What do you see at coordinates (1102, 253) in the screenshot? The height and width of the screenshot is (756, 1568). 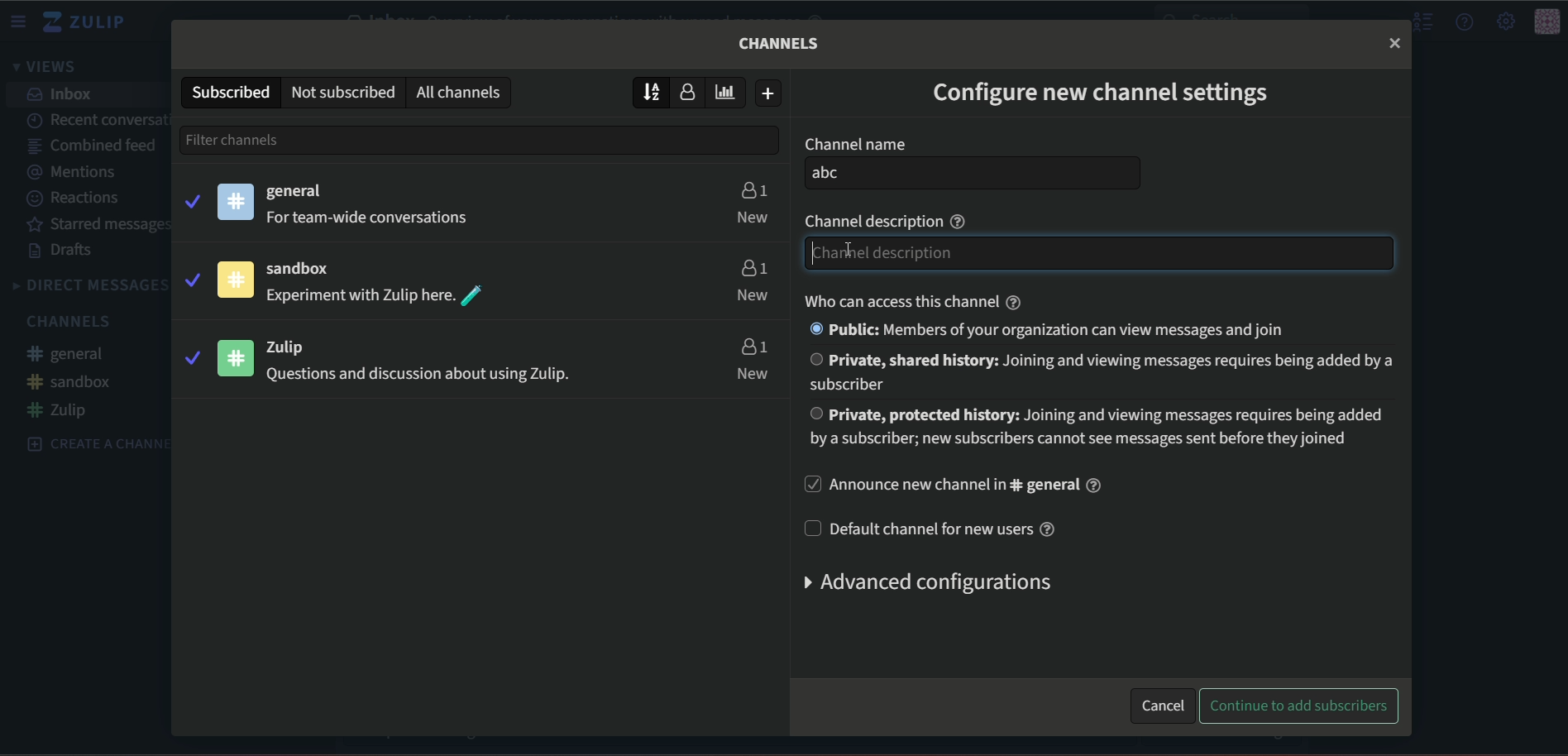 I see `channel description` at bounding box center [1102, 253].